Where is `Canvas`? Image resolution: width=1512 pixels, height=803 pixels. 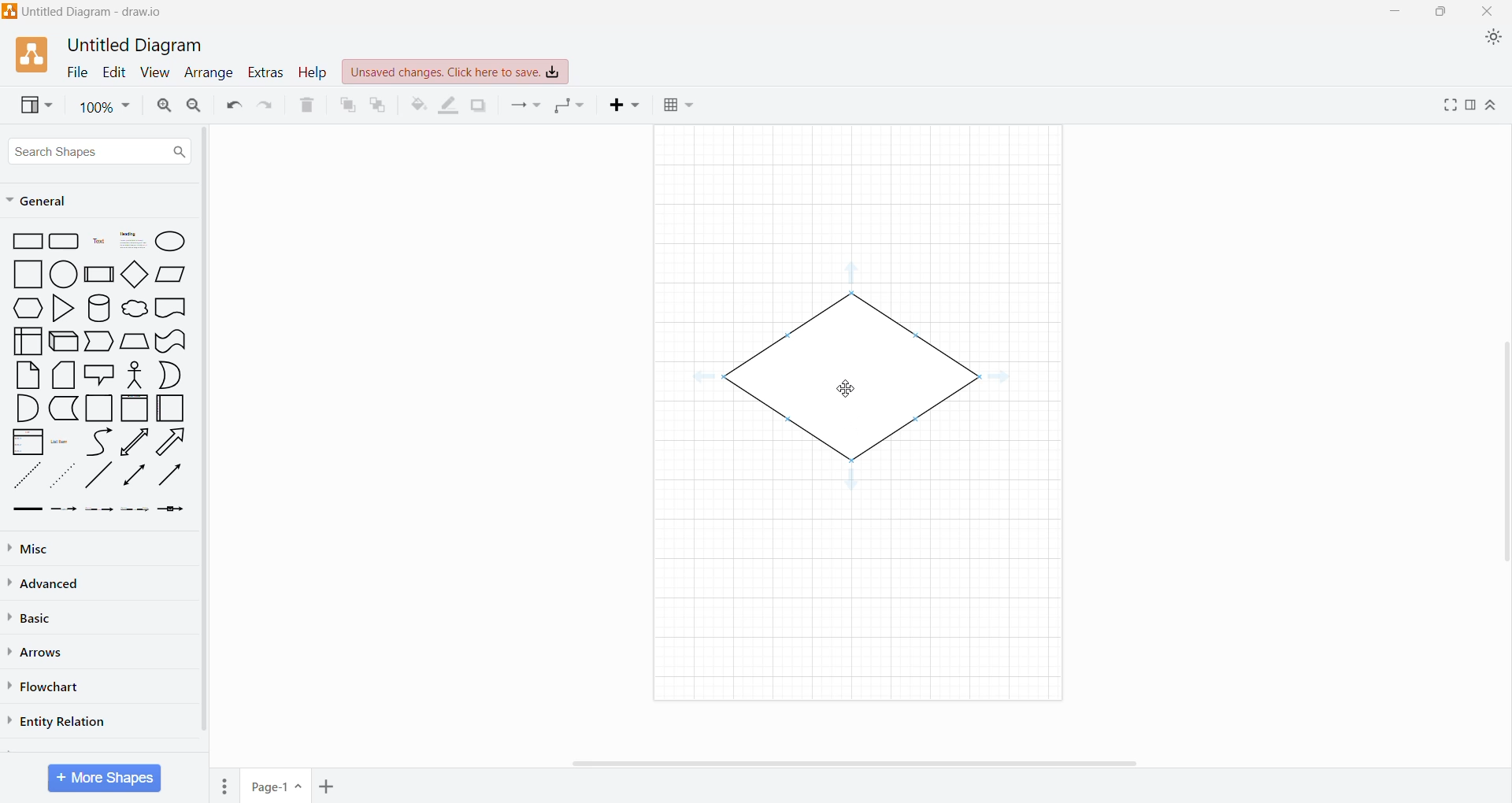 Canvas is located at coordinates (861, 408).